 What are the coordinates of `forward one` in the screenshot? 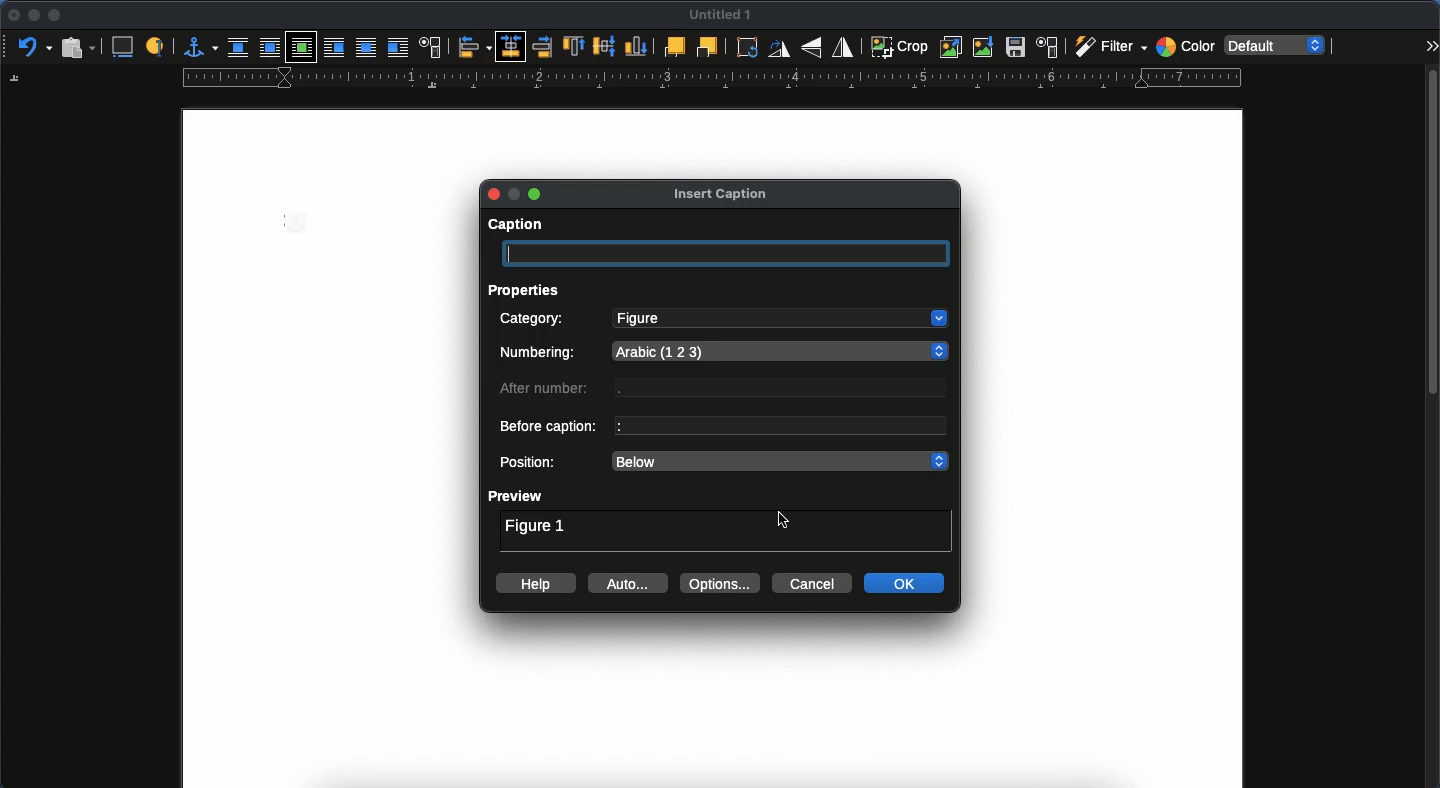 It's located at (673, 48).